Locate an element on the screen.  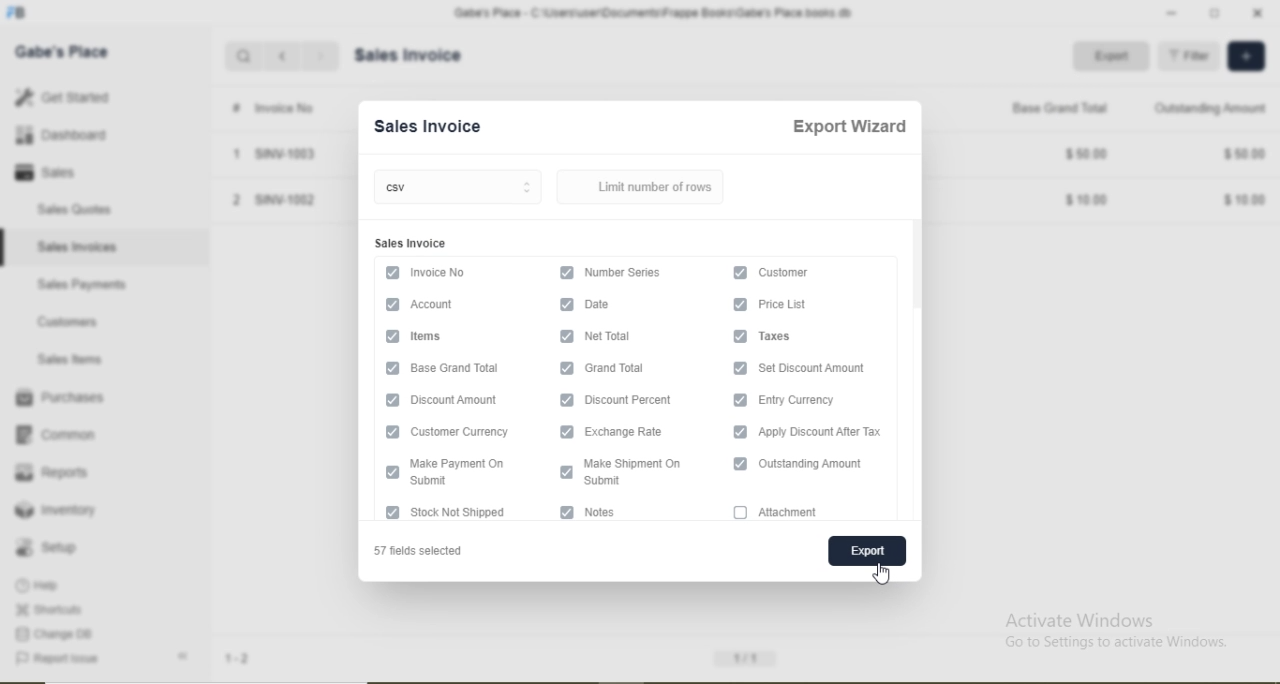
Sales Payments is located at coordinates (80, 284).